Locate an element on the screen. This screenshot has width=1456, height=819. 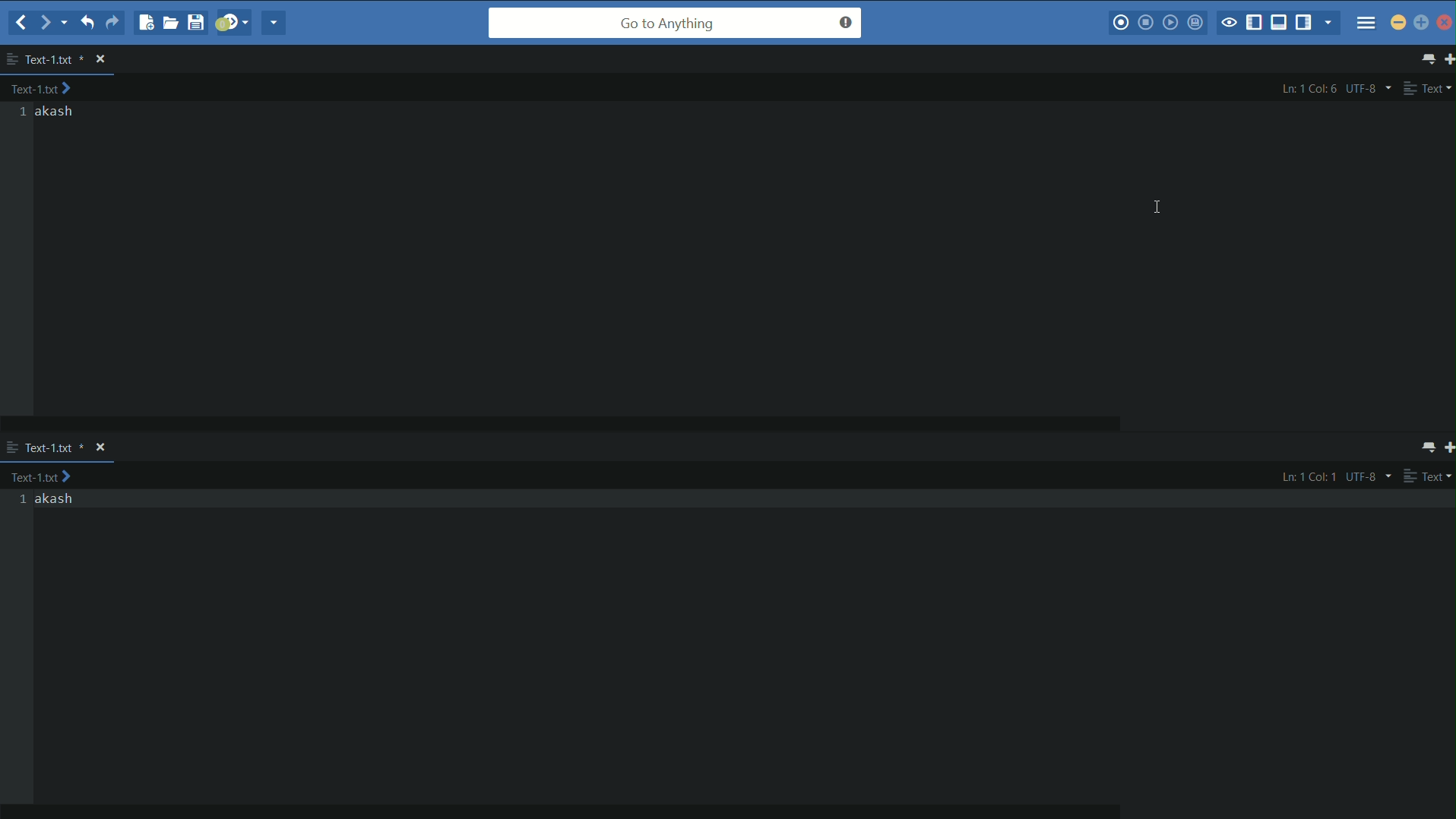
line number is located at coordinates (21, 500).